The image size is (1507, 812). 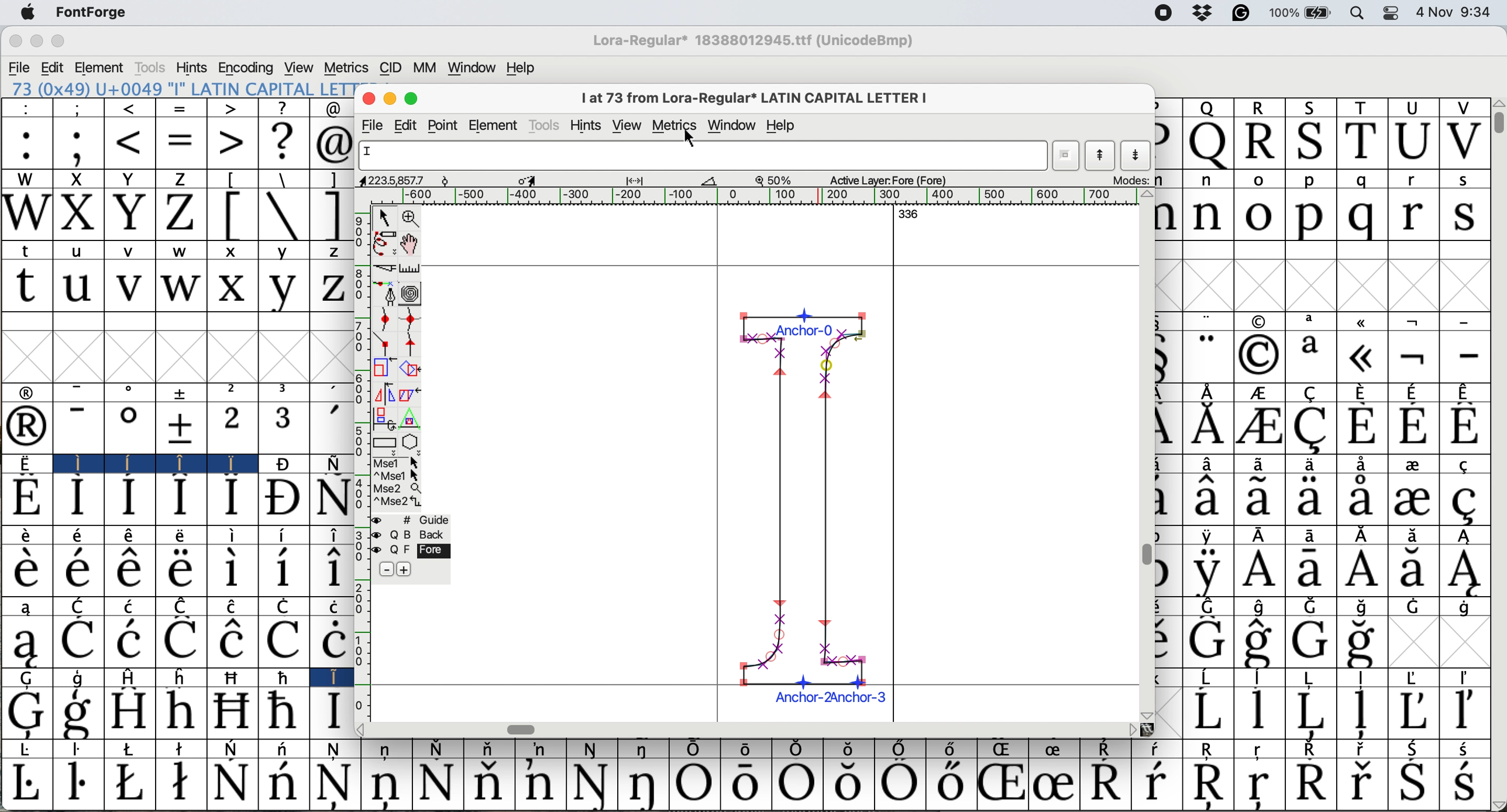 I want to click on Symbol, so click(x=1158, y=750).